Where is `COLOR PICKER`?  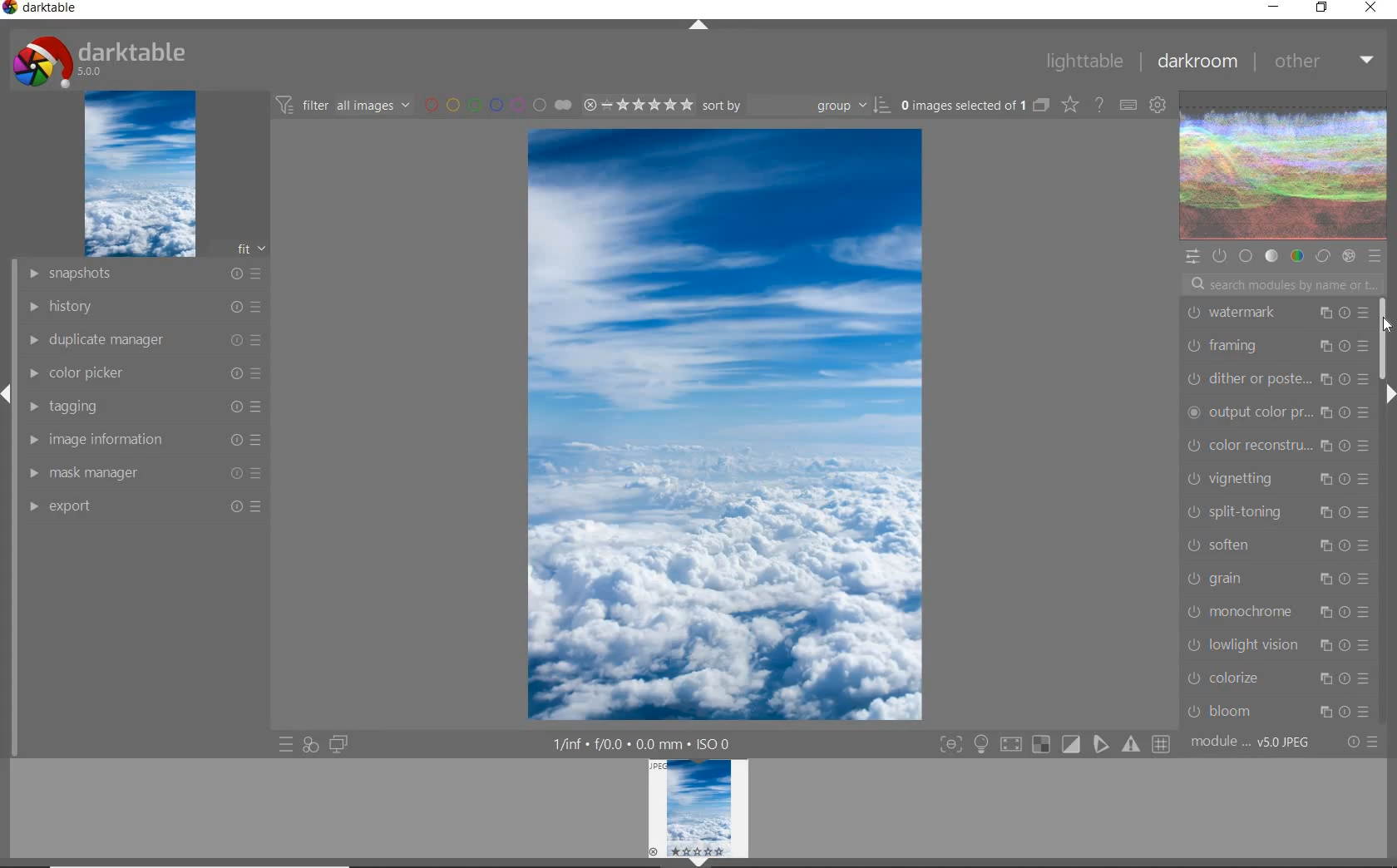
COLOR PICKER is located at coordinates (146, 374).